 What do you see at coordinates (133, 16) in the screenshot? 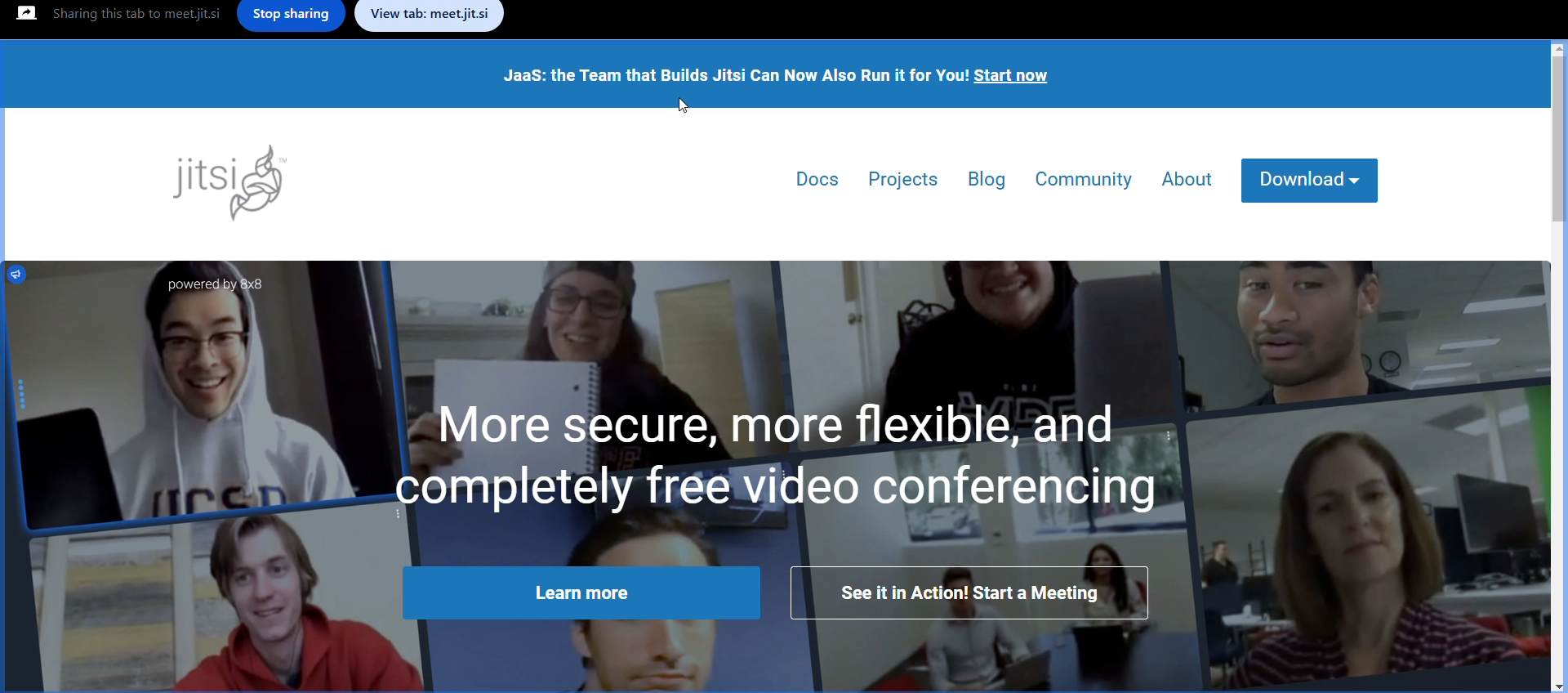
I see `Sharing this tab to meetjitsi` at bounding box center [133, 16].